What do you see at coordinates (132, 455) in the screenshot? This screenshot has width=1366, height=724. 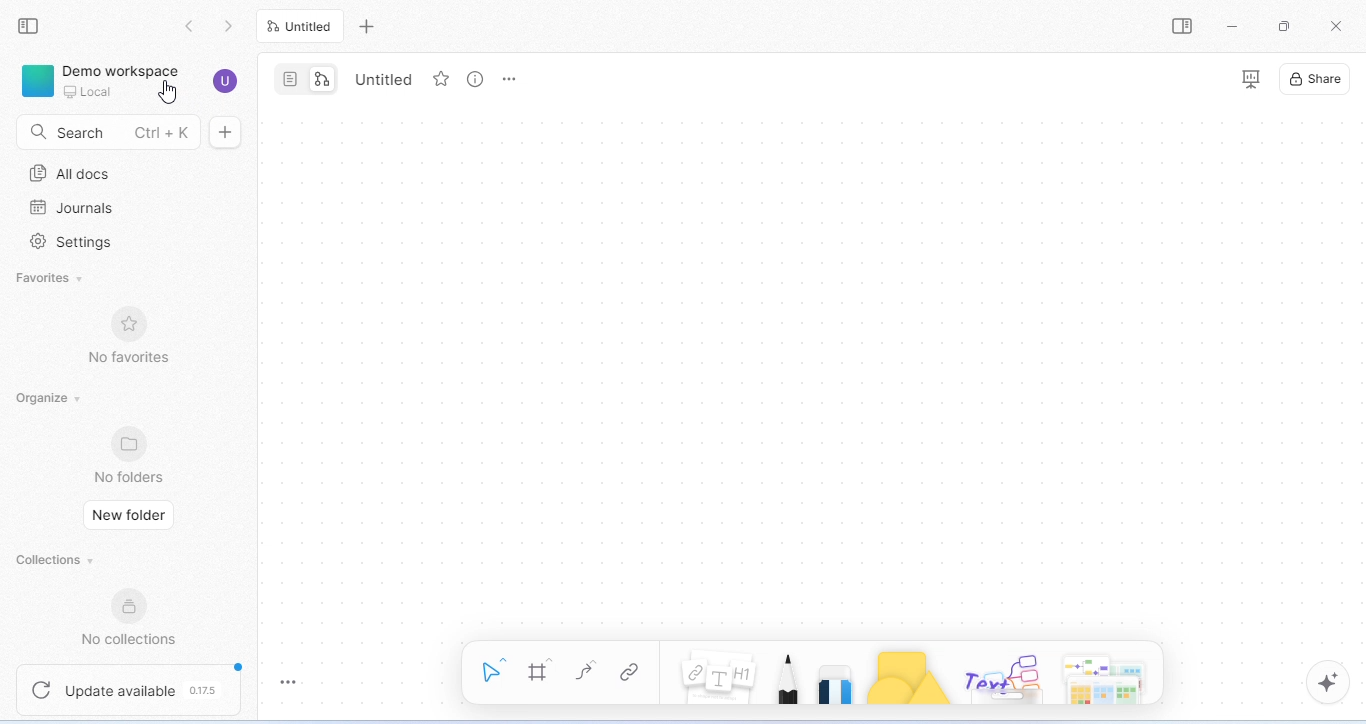 I see `no folders` at bounding box center [132, 455].